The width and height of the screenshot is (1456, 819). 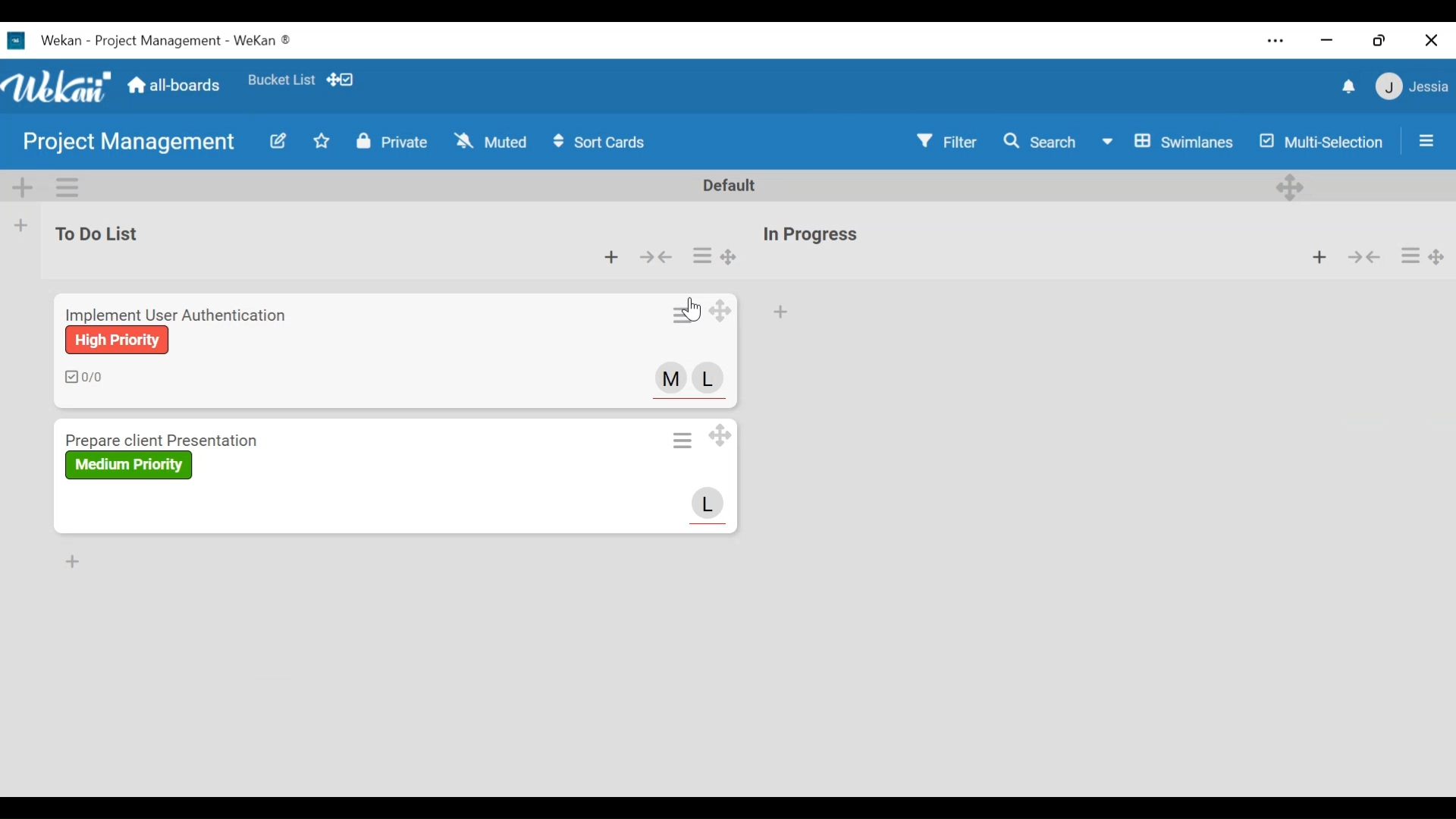 What do you see at coordinates (695, 309) in the screenshot?
I see `cursor` at bounding box center [695, 309].